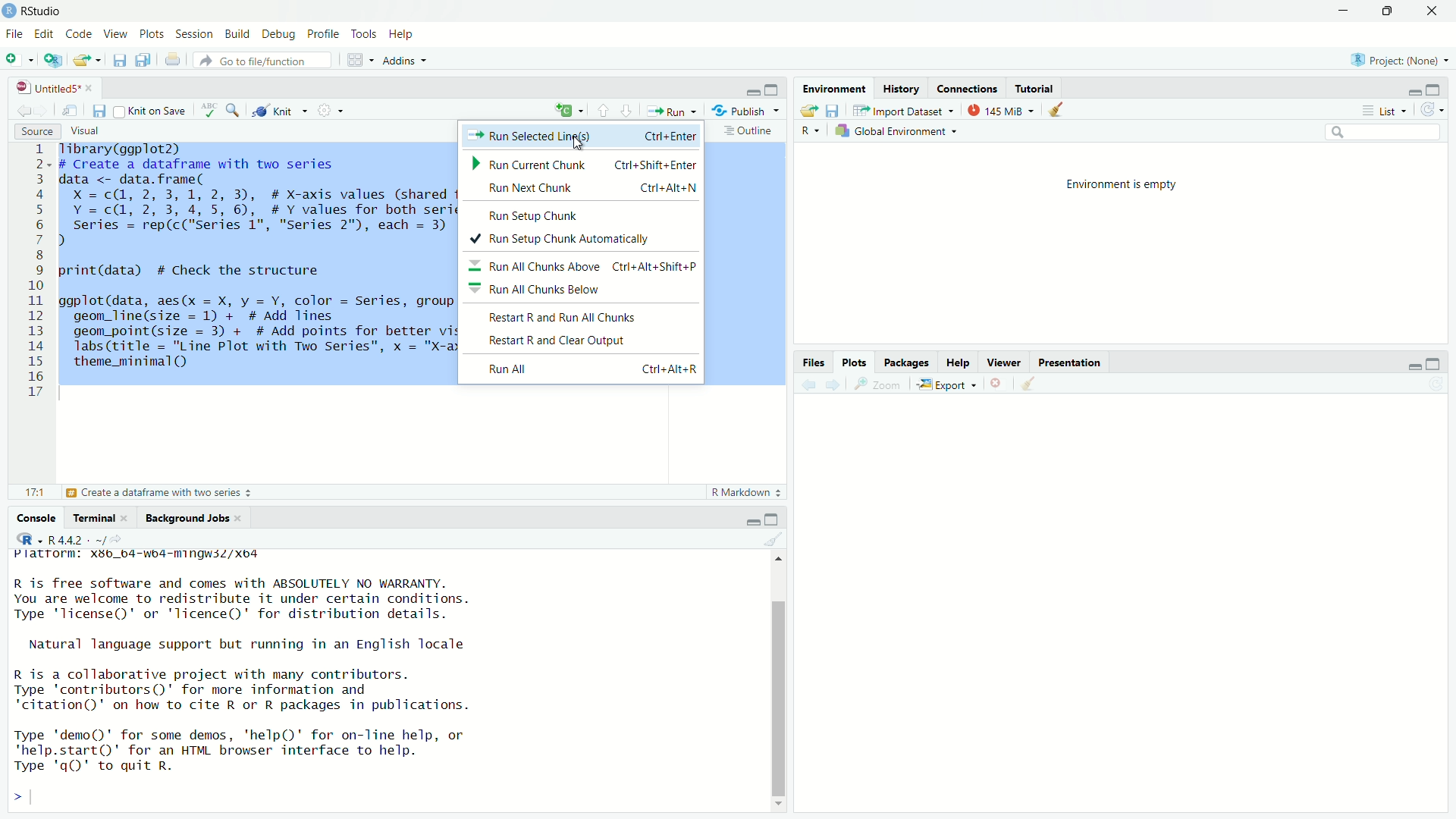 The image size is (1456, 819). I want to click on Plots, so click(155, 36).